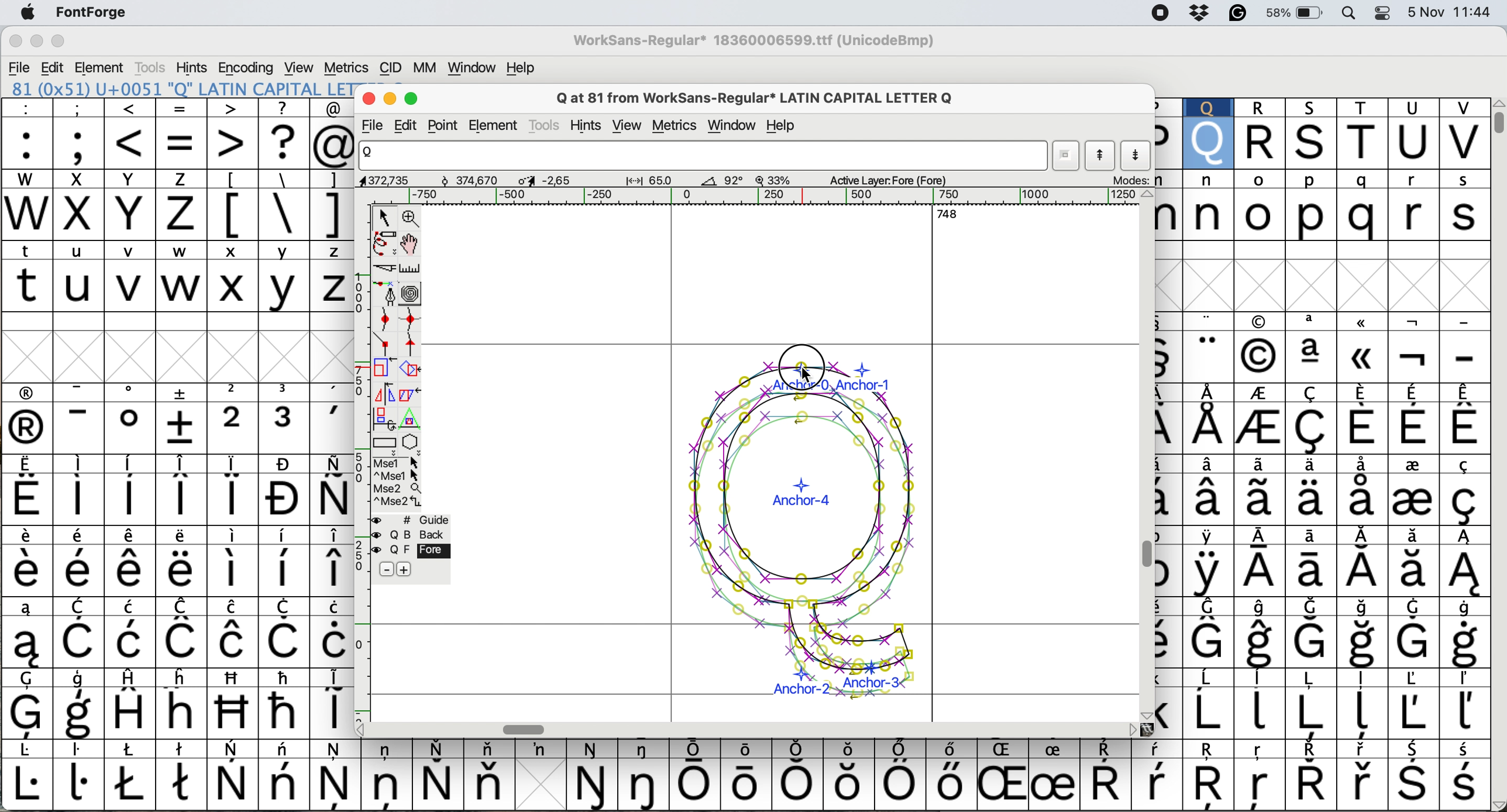 Image resolution: width=1507 pixels, height=812 pixels. What do you see at coordinates (347, 67) in the screenshot?
I see `metrics` at bounding box center [347, 67].